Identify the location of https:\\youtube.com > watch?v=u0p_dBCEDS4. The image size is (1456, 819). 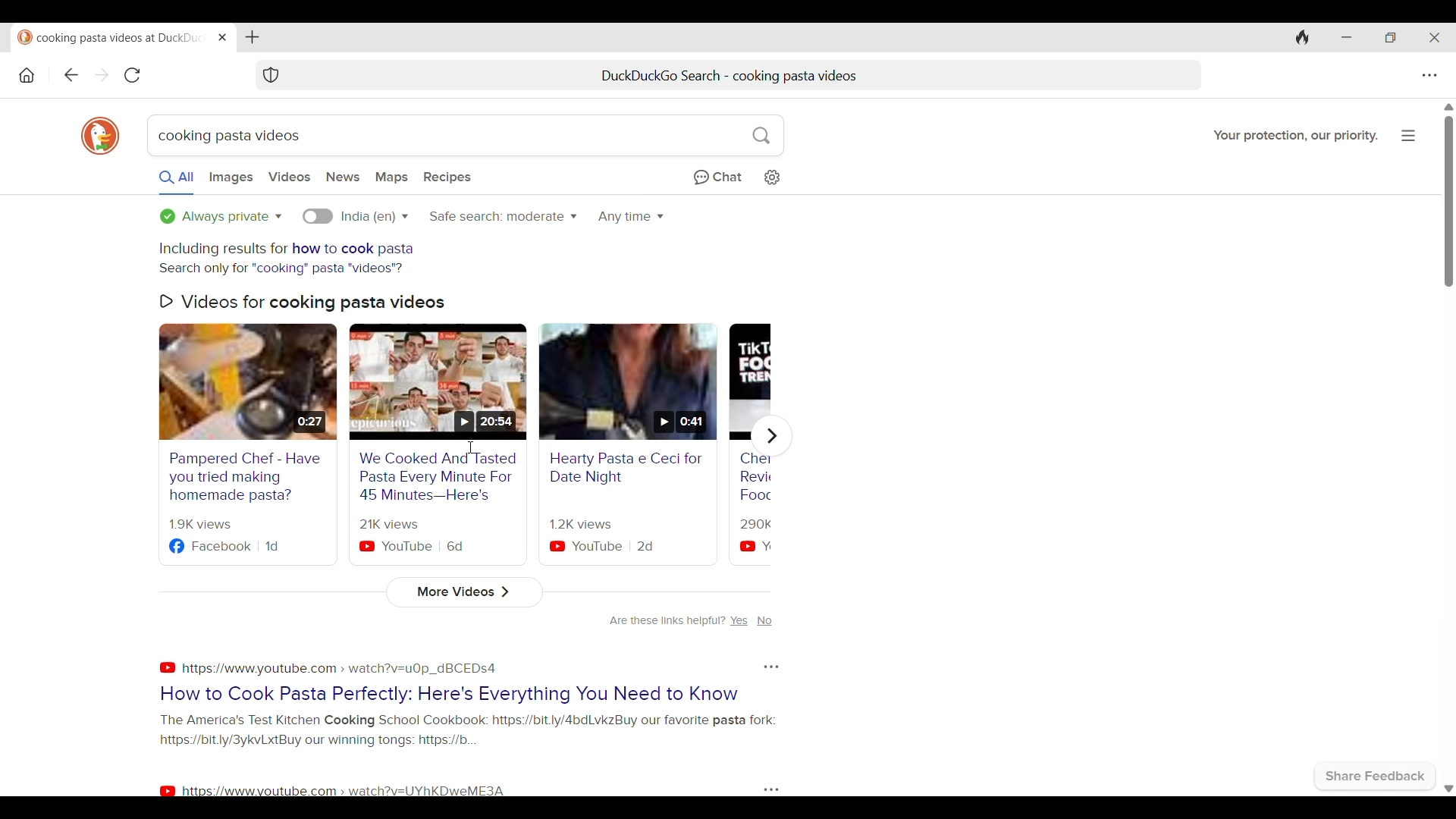
(331, 668).